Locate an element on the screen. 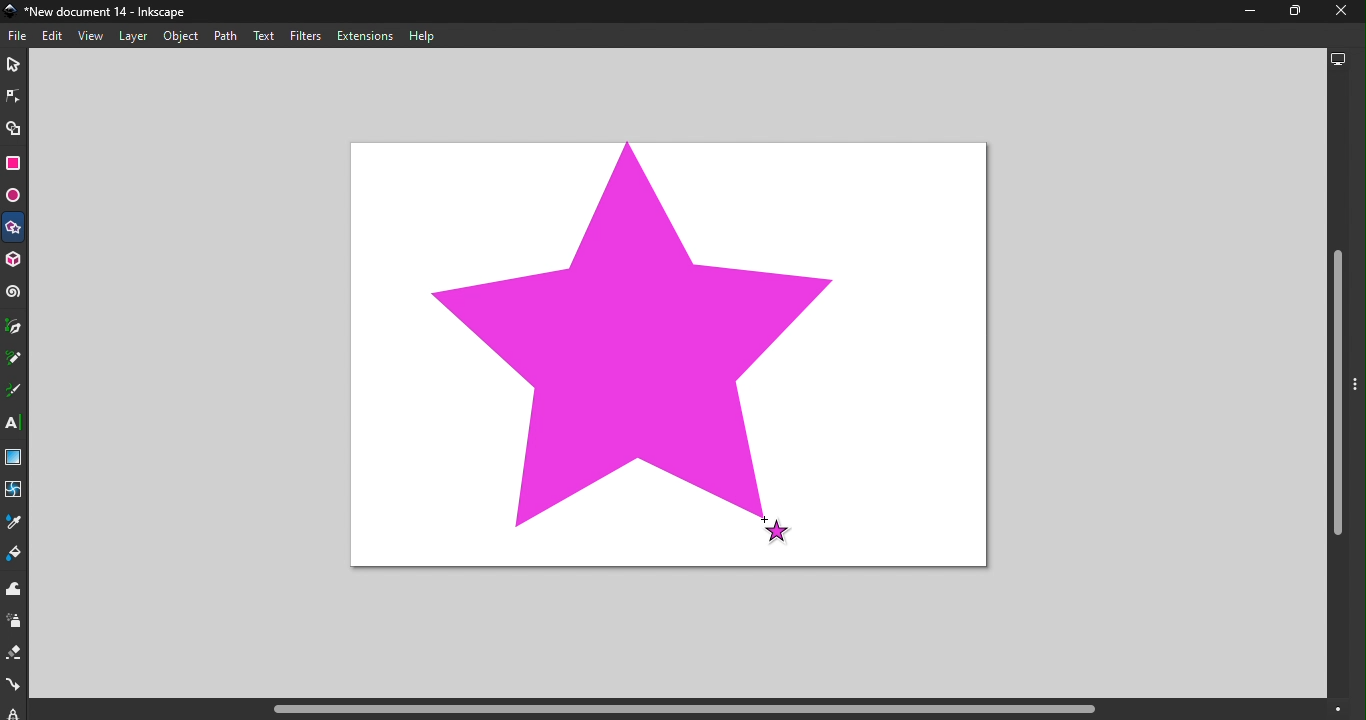 This screenshot has height=720, width=1366. Dropper tool is located at coordinates (14, 525).